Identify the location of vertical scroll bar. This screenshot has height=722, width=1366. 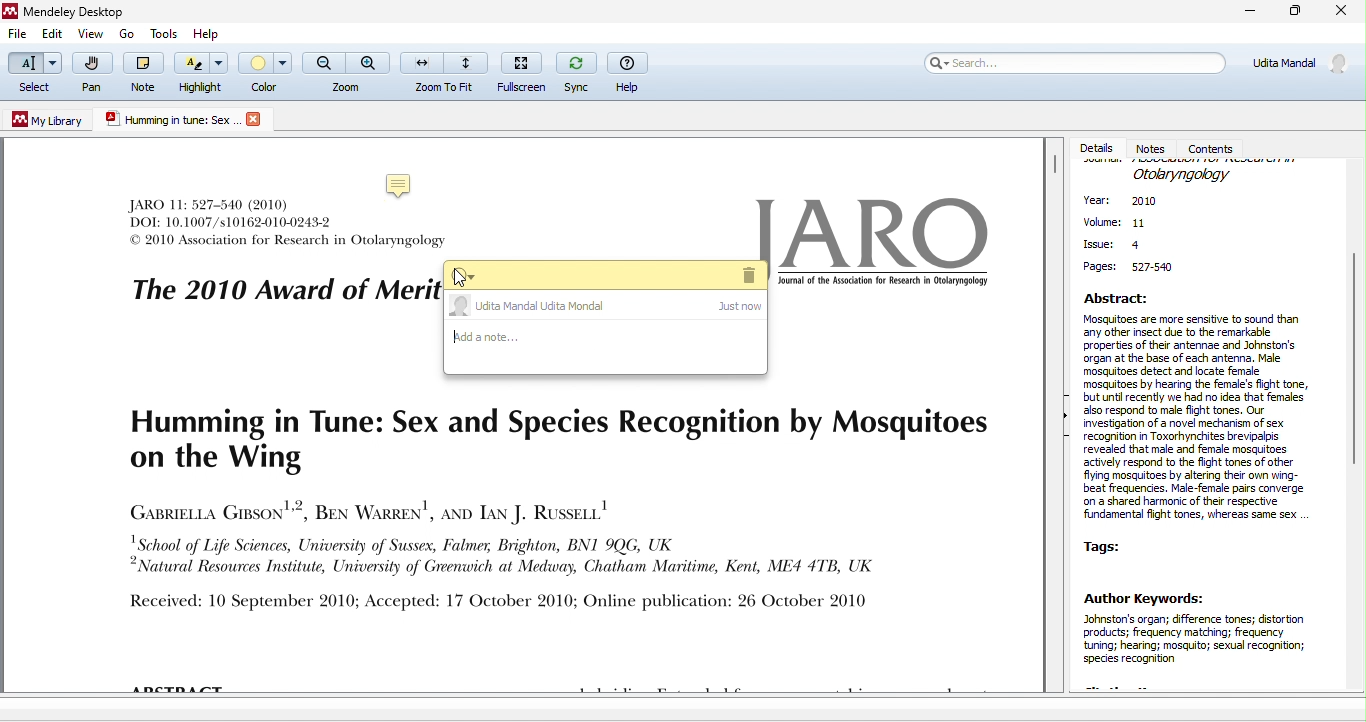
(1353, 354).